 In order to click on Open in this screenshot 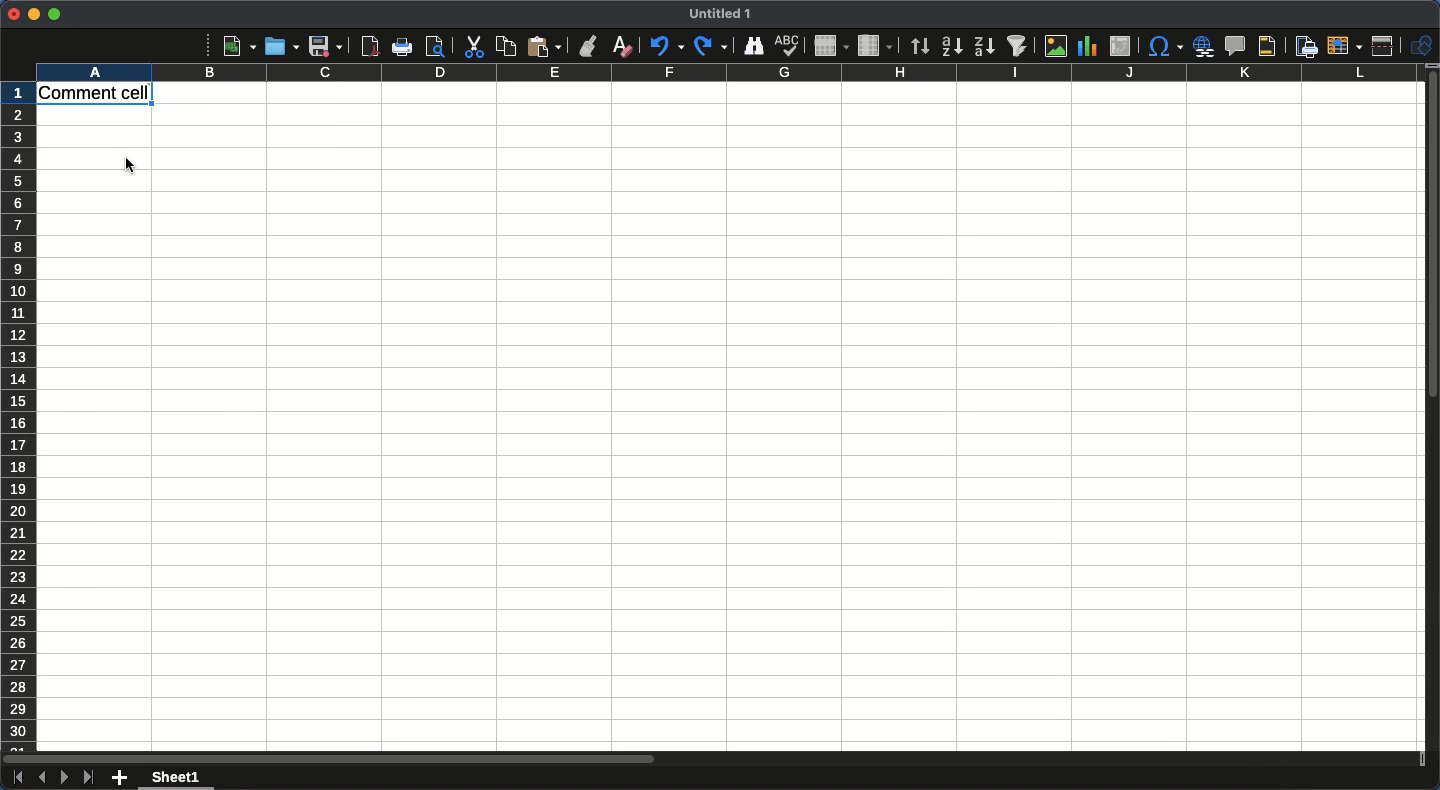, I will do `click(281, 48)`.